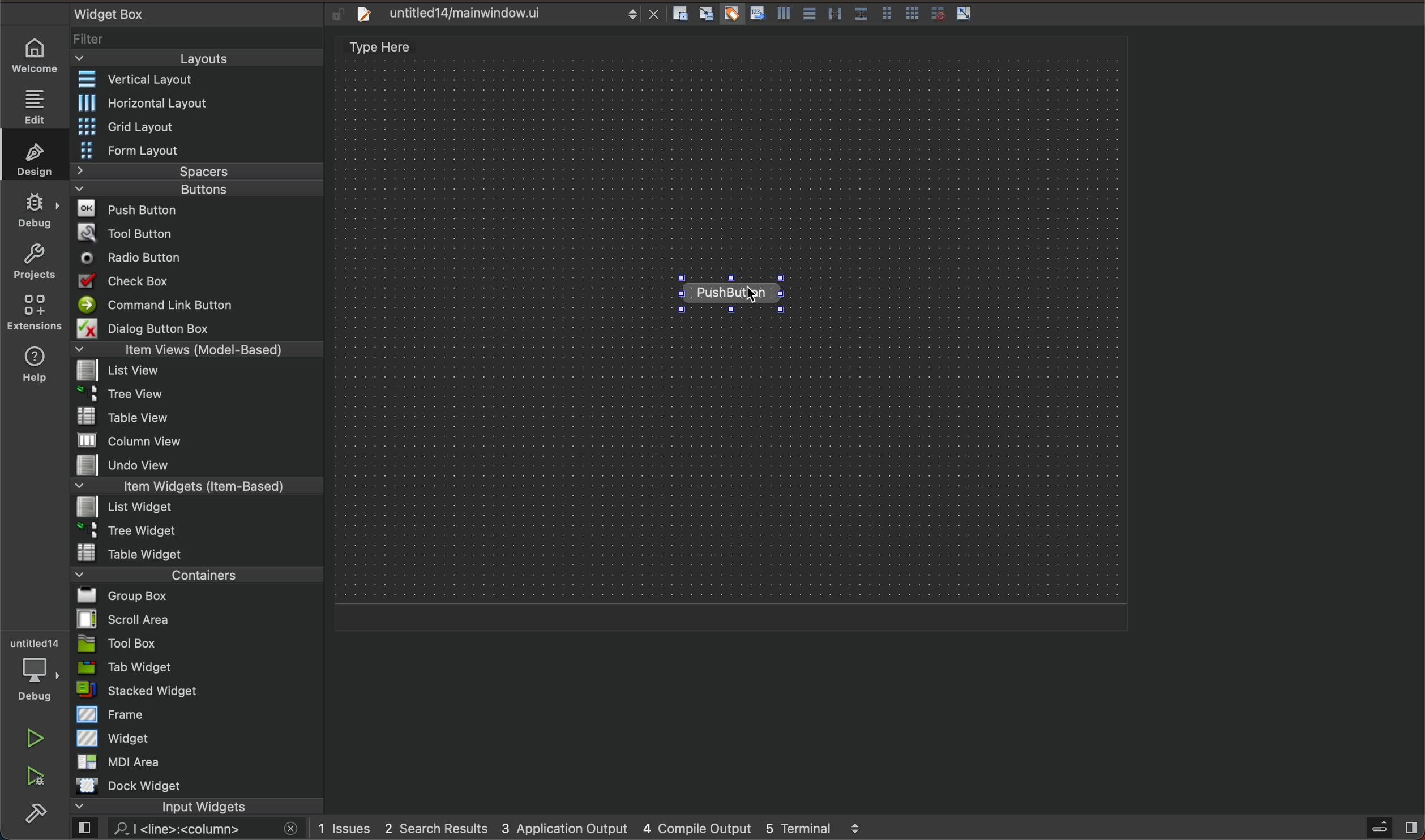 This screenshot has width=1425, height=840. What do you see at coordinates (182, 13) in the screenshot?
I see `widget box` at bounding box center [182, 13].